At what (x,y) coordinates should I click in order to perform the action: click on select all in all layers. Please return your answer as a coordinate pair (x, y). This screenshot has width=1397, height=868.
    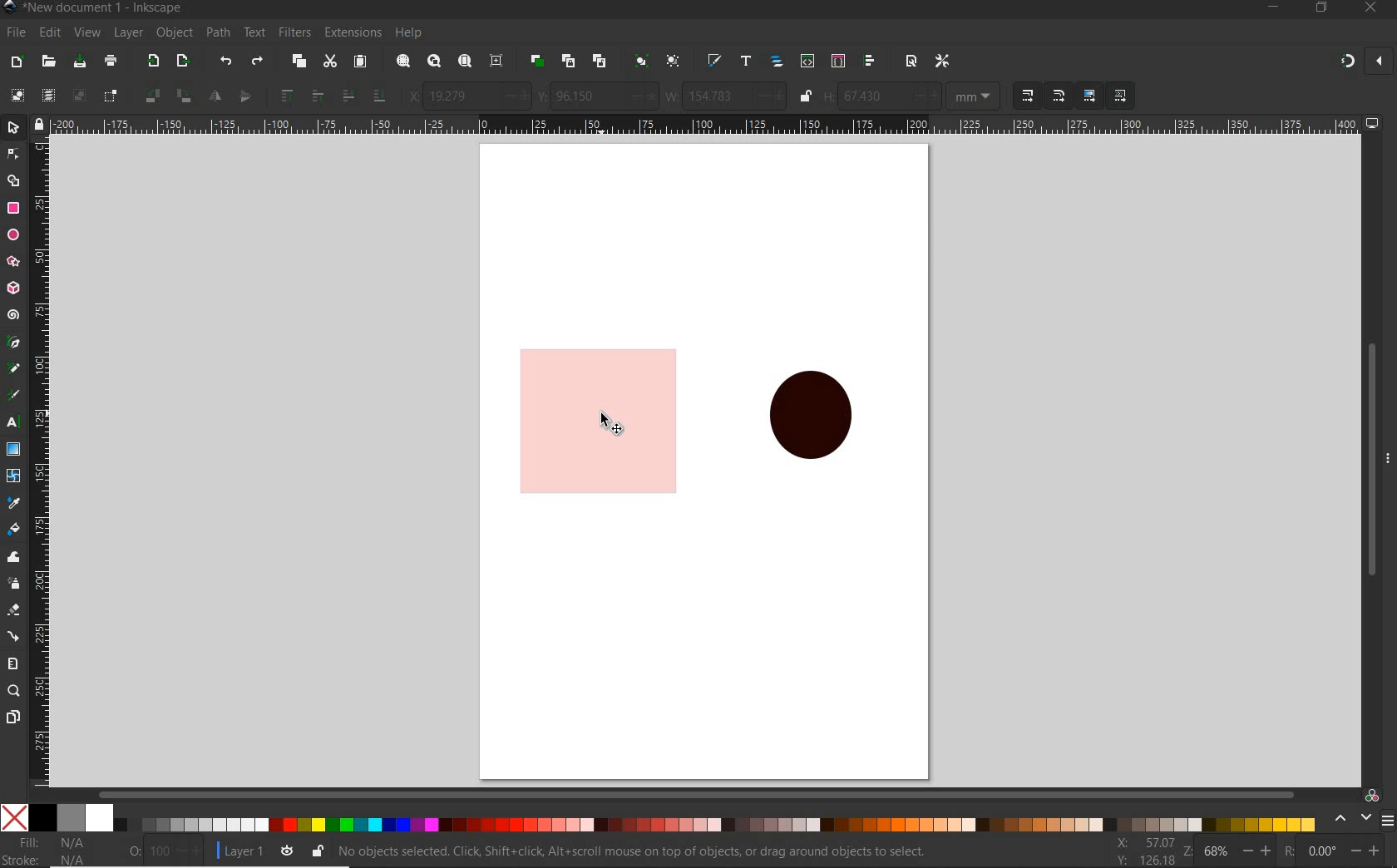
    Looking at the image, I should click on (45, 94).